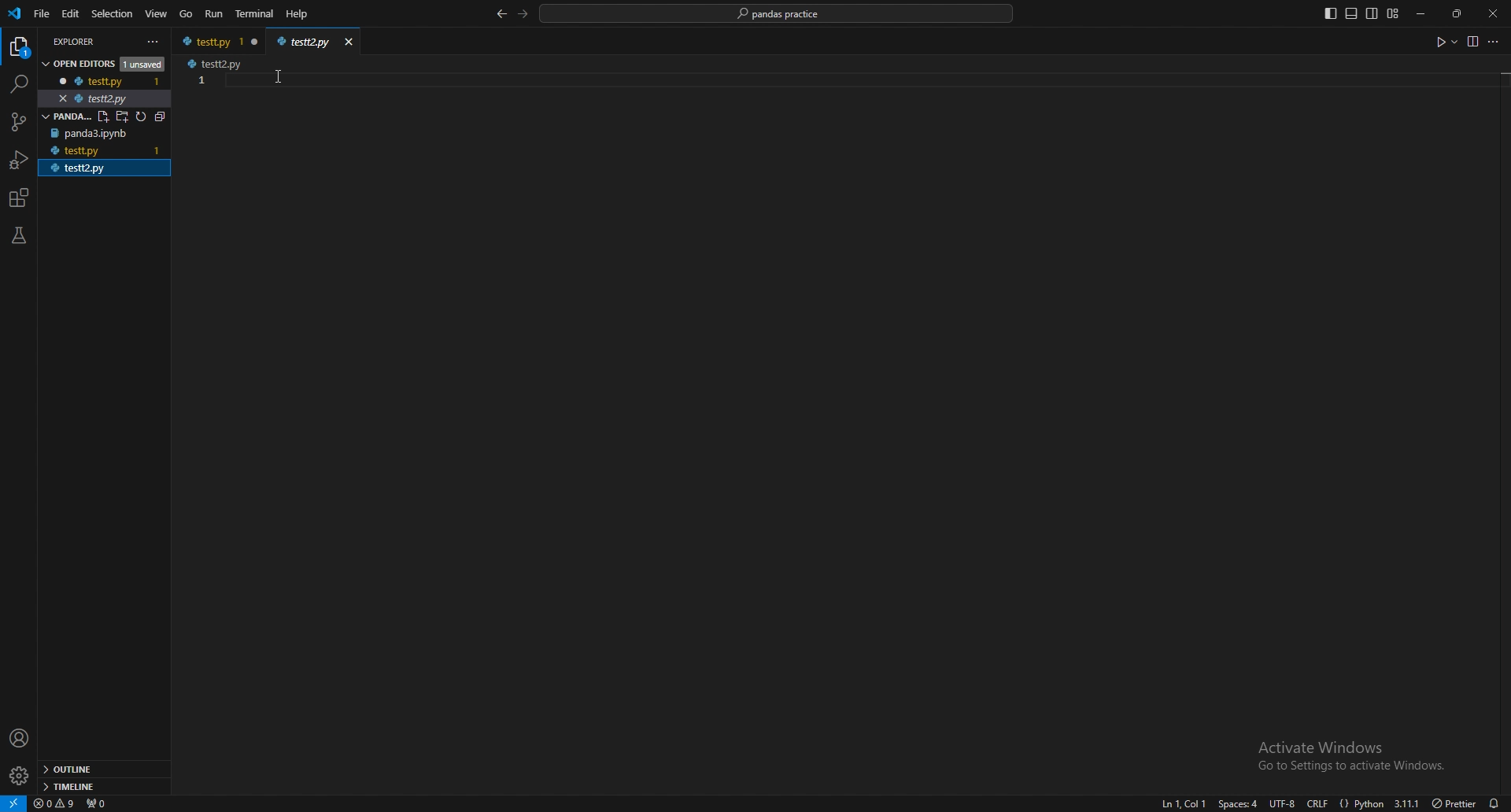  I want to click on toggle secondary side bar, so click(1372, 13).